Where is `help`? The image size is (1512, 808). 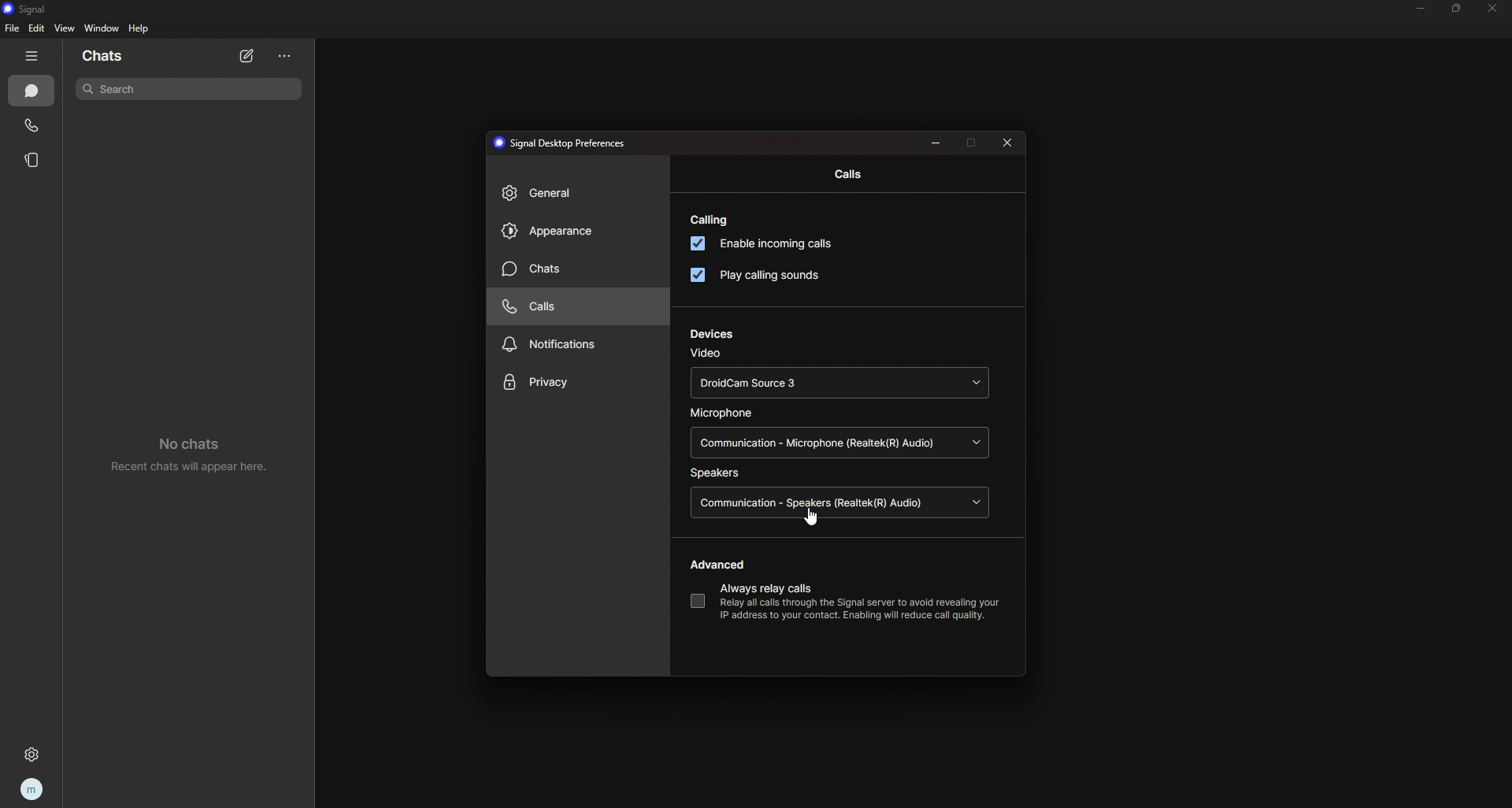 help is located at coordinates (139, 28).